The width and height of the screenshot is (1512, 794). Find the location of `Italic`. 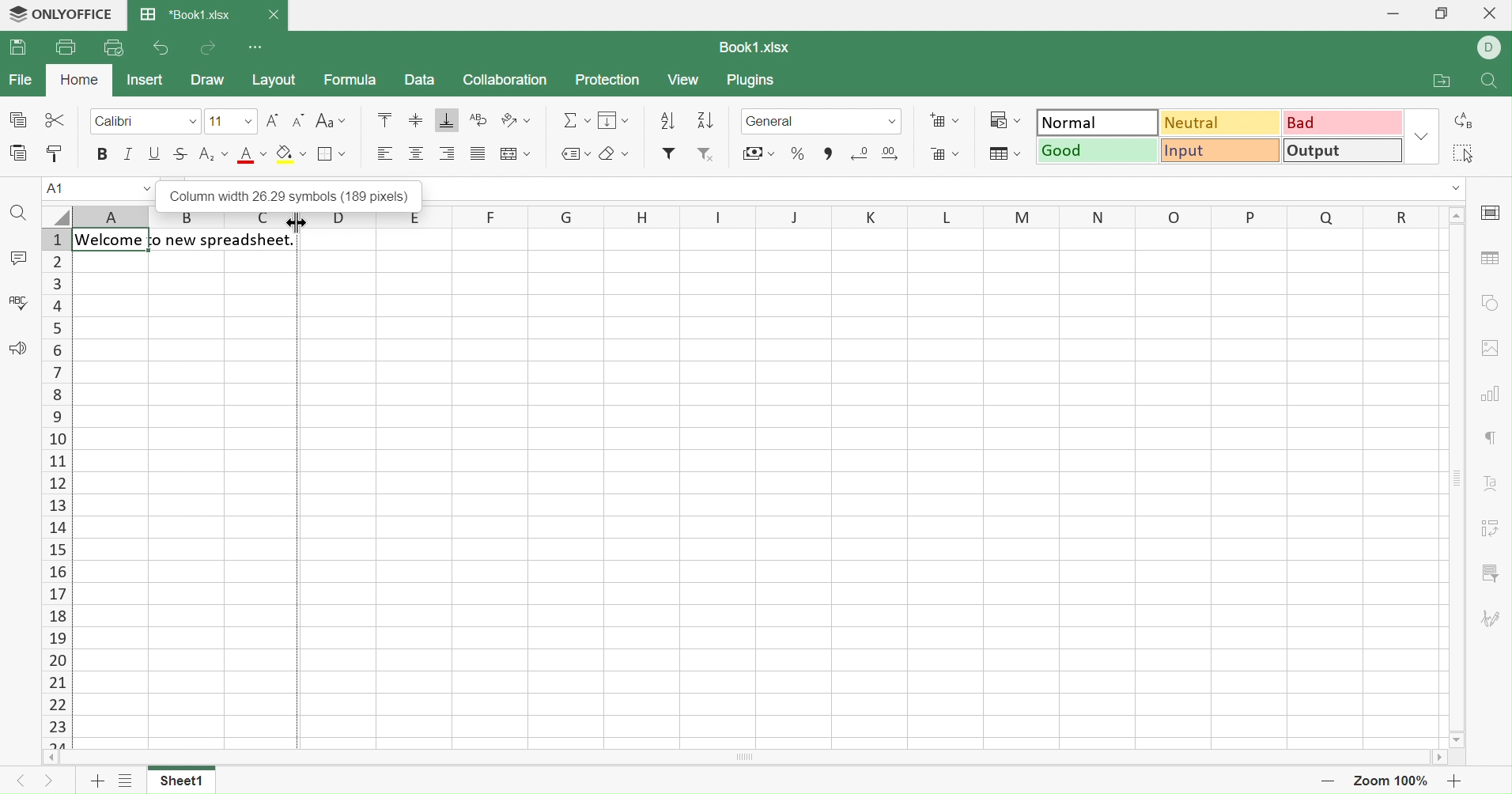

Italic is located at coordinates (129, 151).